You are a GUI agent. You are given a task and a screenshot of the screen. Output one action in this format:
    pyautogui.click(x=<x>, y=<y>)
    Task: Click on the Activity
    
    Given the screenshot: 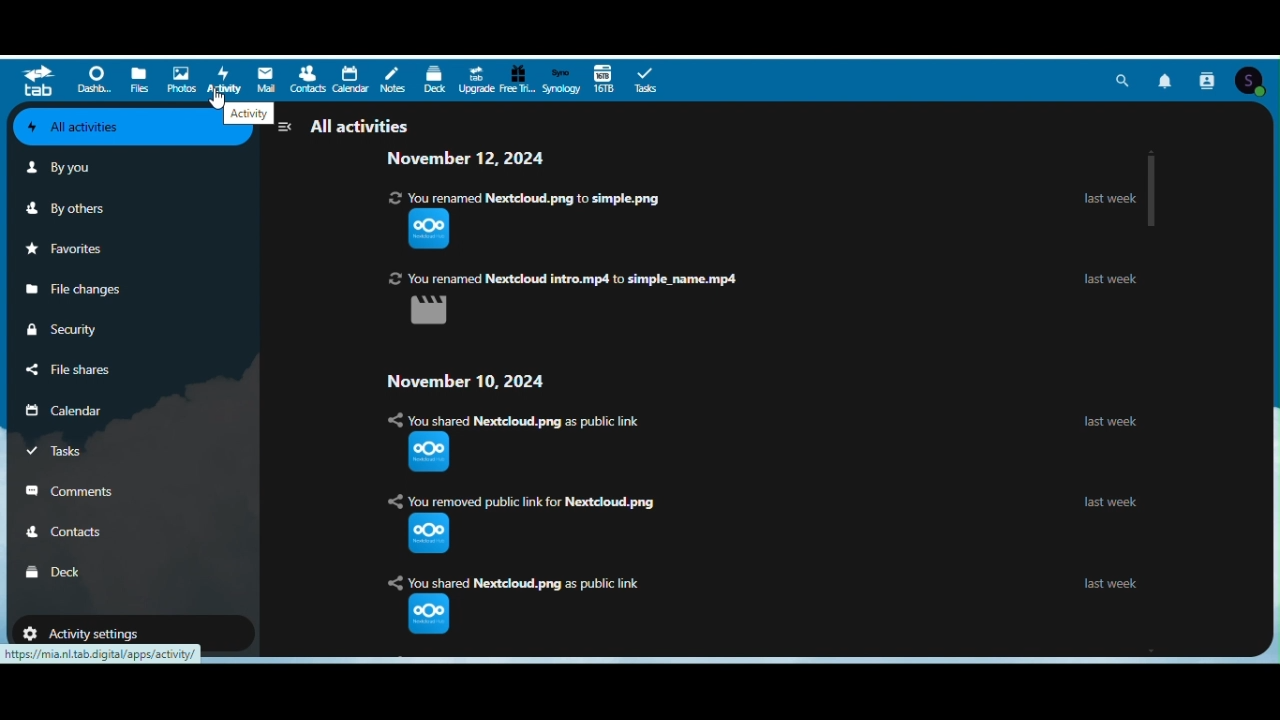 What is the action you would take?
    pyautogui.click(x=223, y=80)
    